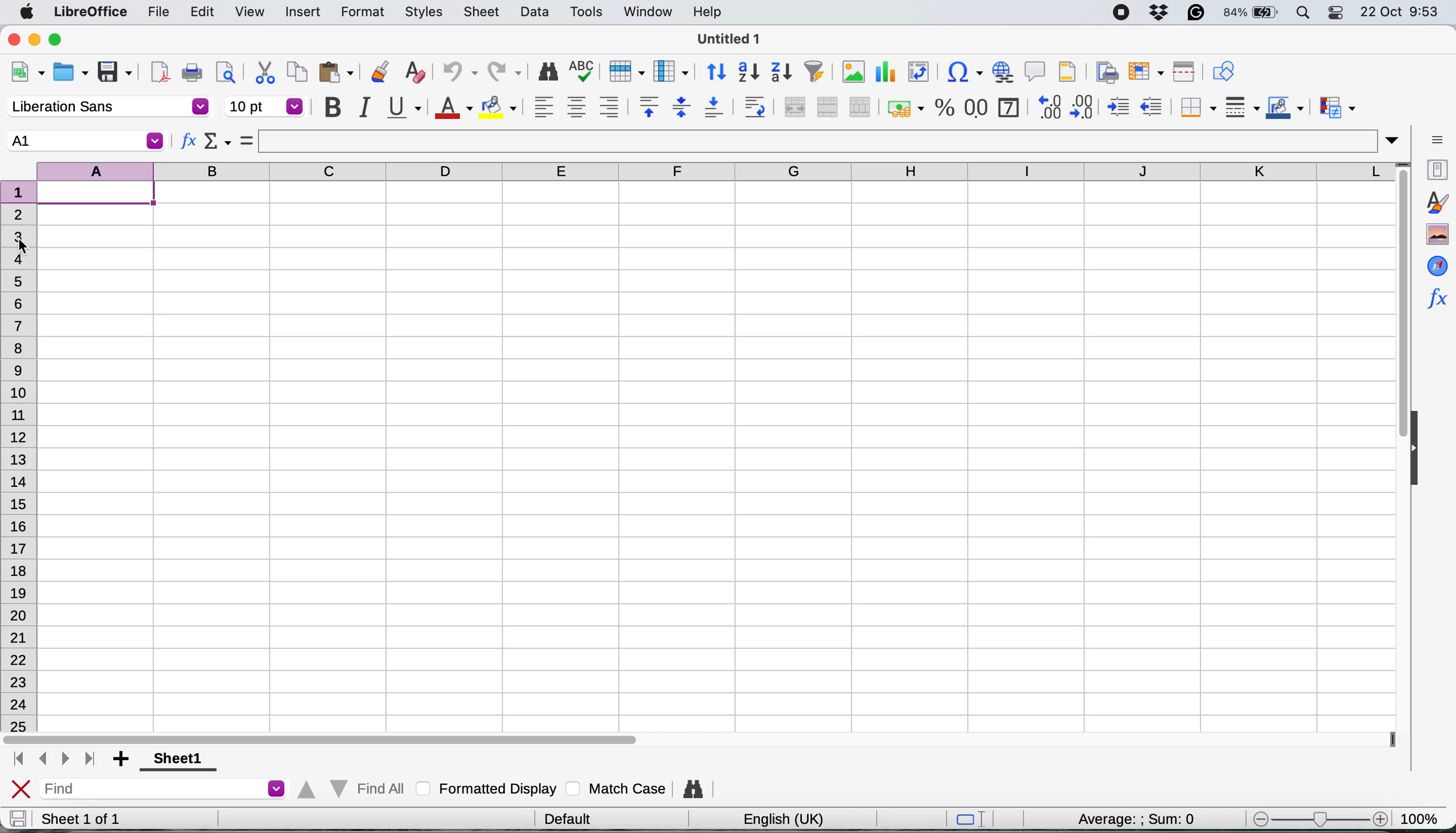 This screenshot has width=1456, height=833. I want to click on delete decimal place, so click(1085, 106).